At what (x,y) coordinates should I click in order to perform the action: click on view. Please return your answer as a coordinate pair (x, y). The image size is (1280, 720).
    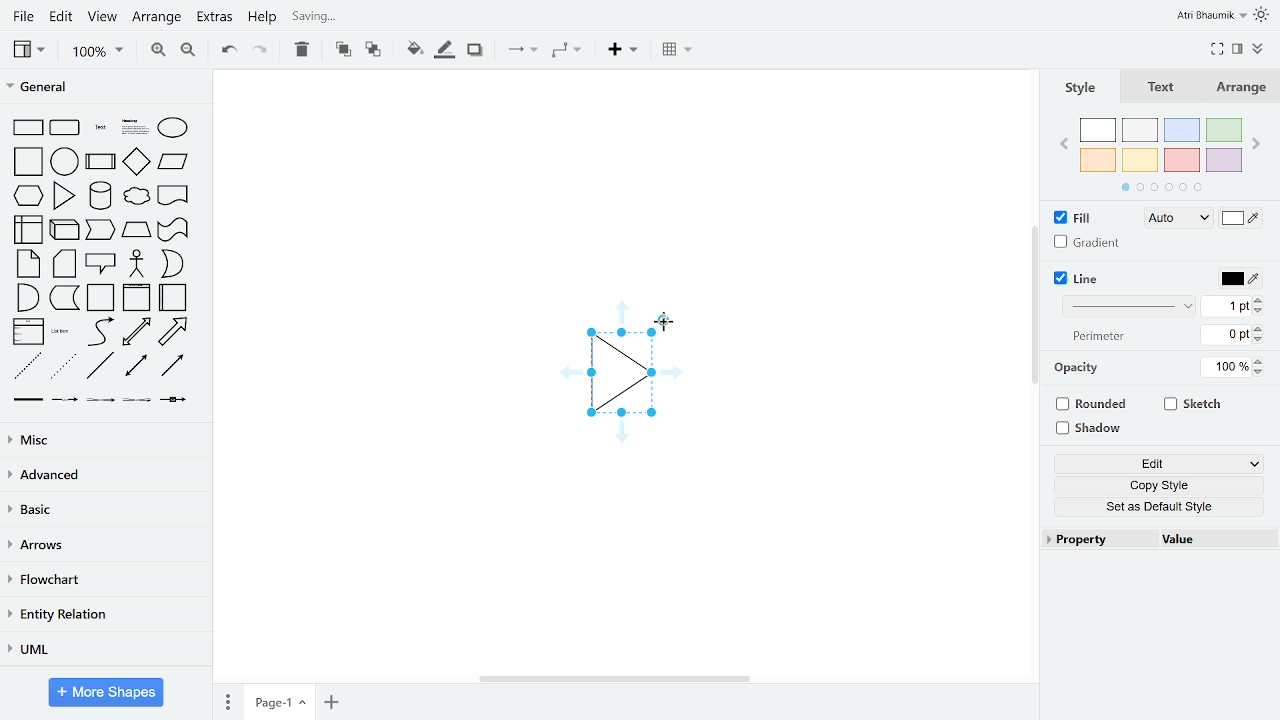
    Looking at the image, I should click on (28, 49).